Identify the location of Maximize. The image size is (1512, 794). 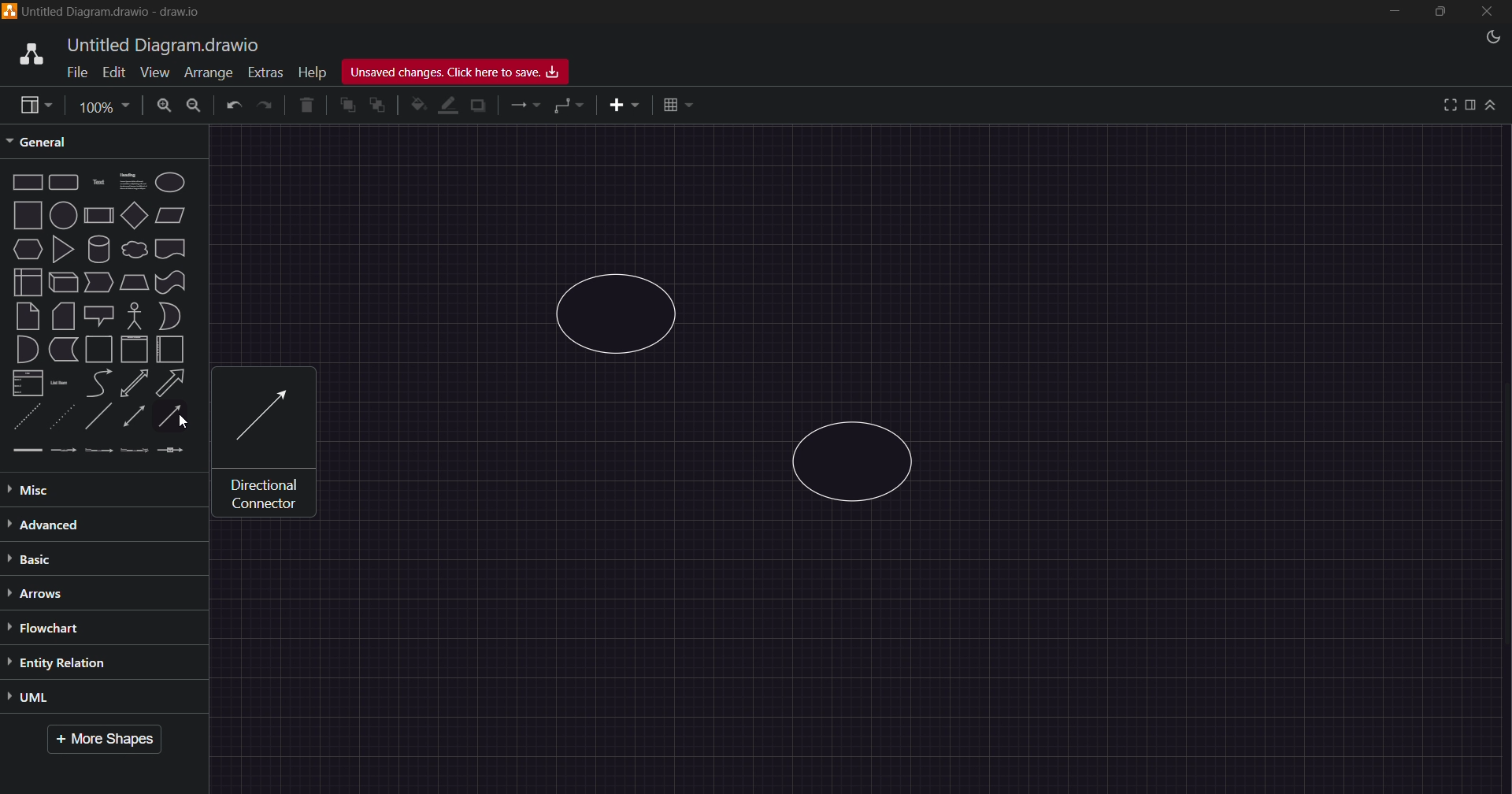
(1440, 14).